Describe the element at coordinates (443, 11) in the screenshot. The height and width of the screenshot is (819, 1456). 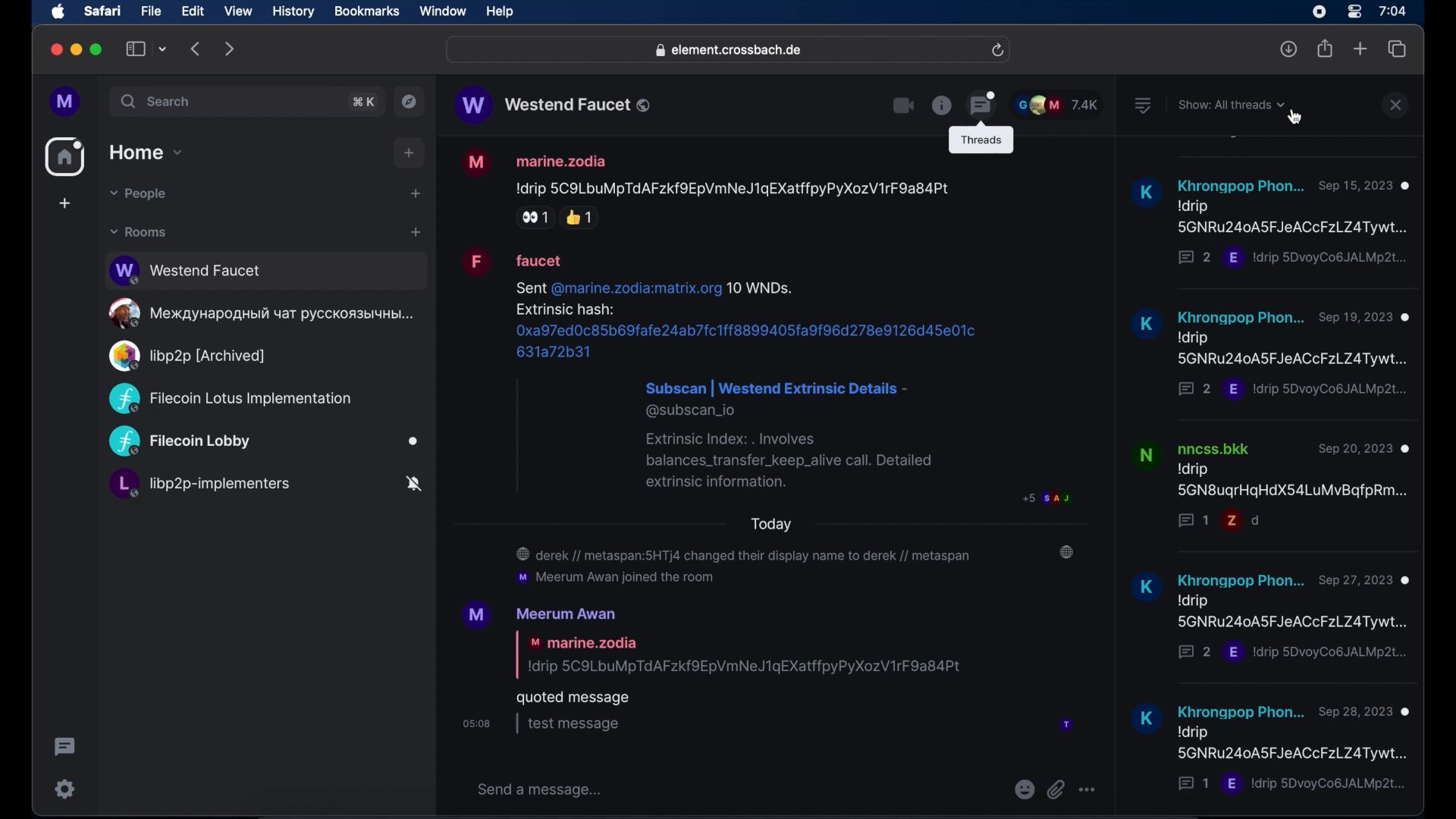
I see `window` at that location.